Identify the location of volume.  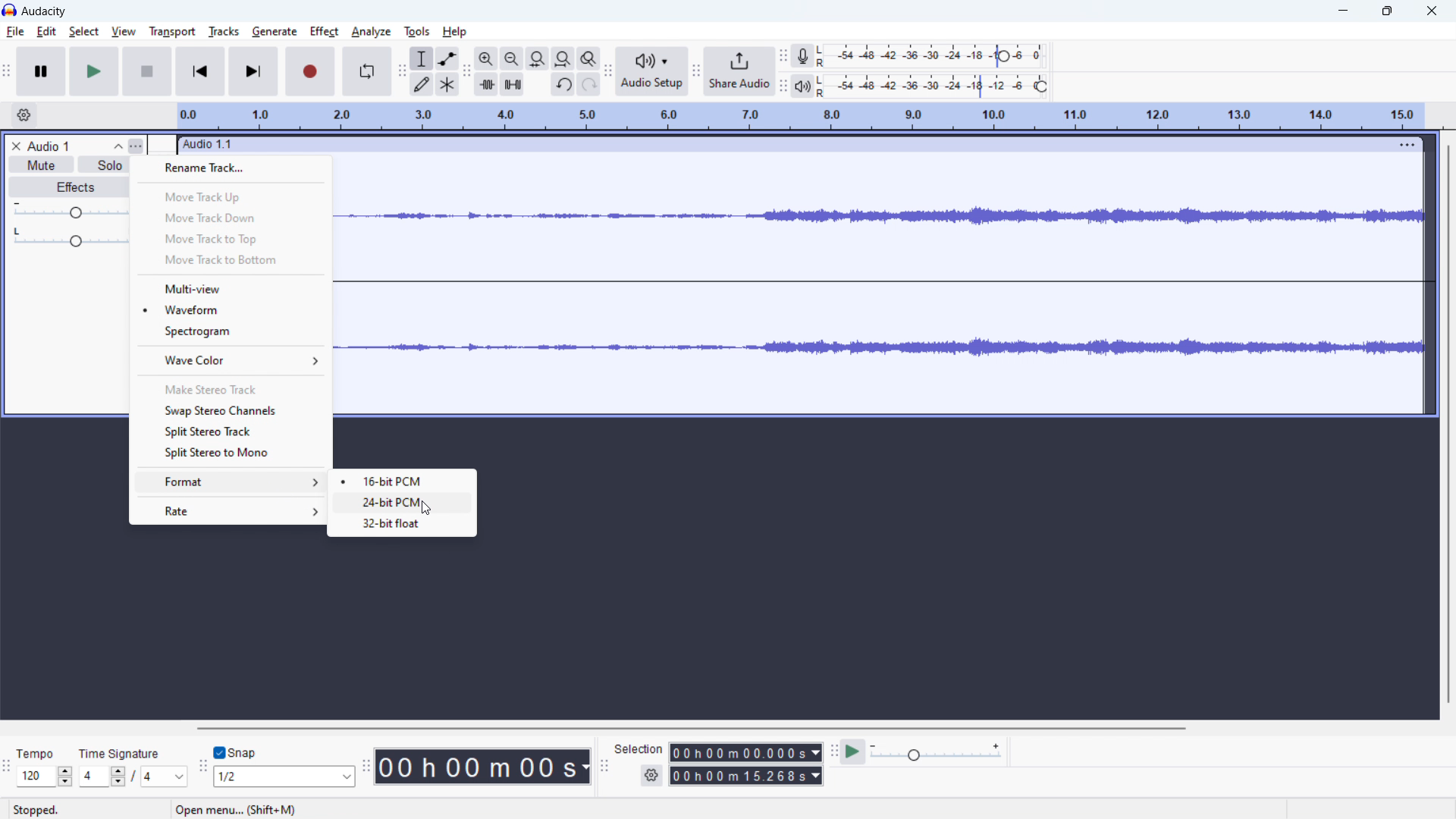
(71, 209).